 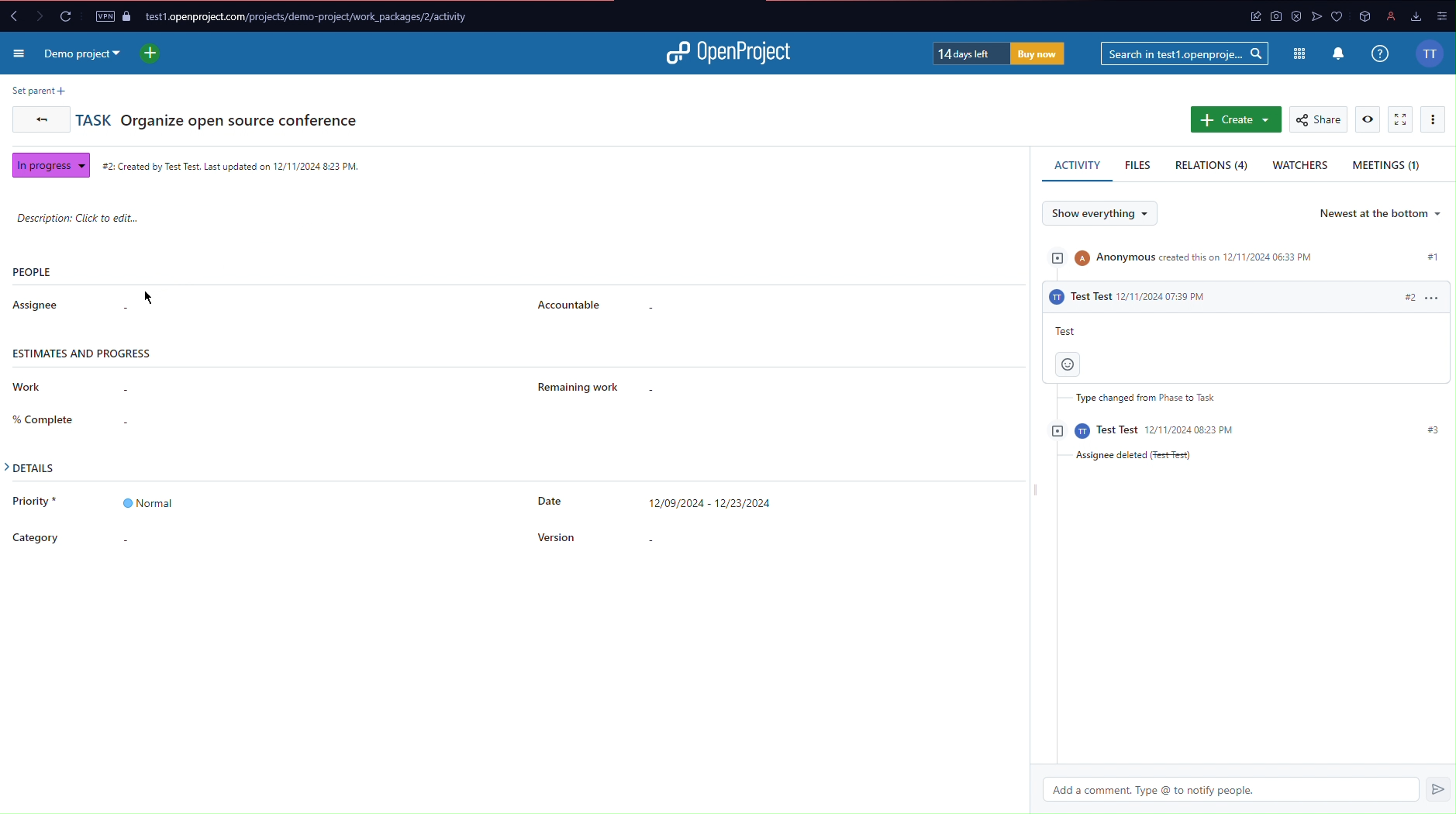 I want to click on Reload Page, so click(x=66, y=16).